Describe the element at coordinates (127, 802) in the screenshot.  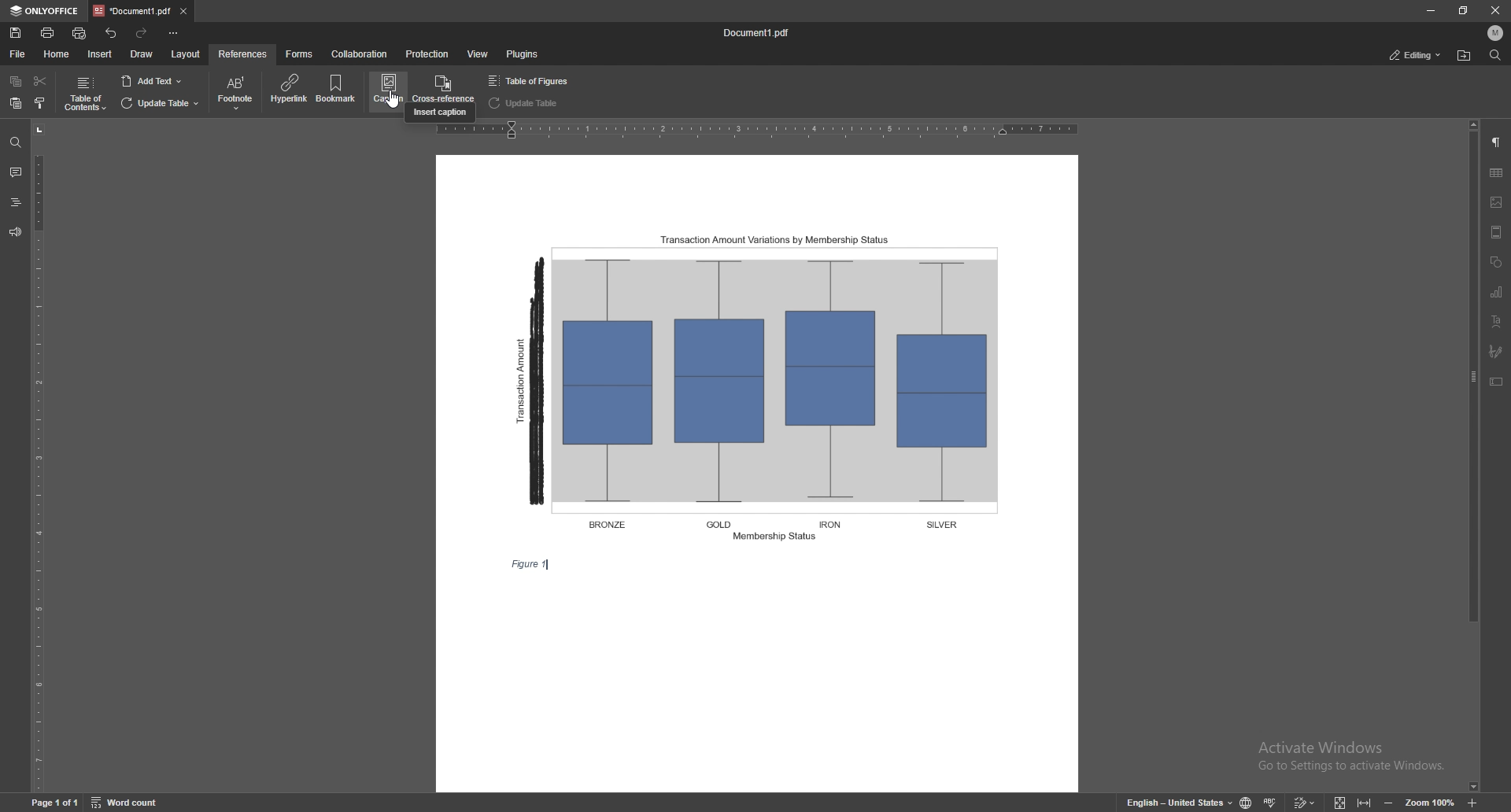
I see `word count` at that location.